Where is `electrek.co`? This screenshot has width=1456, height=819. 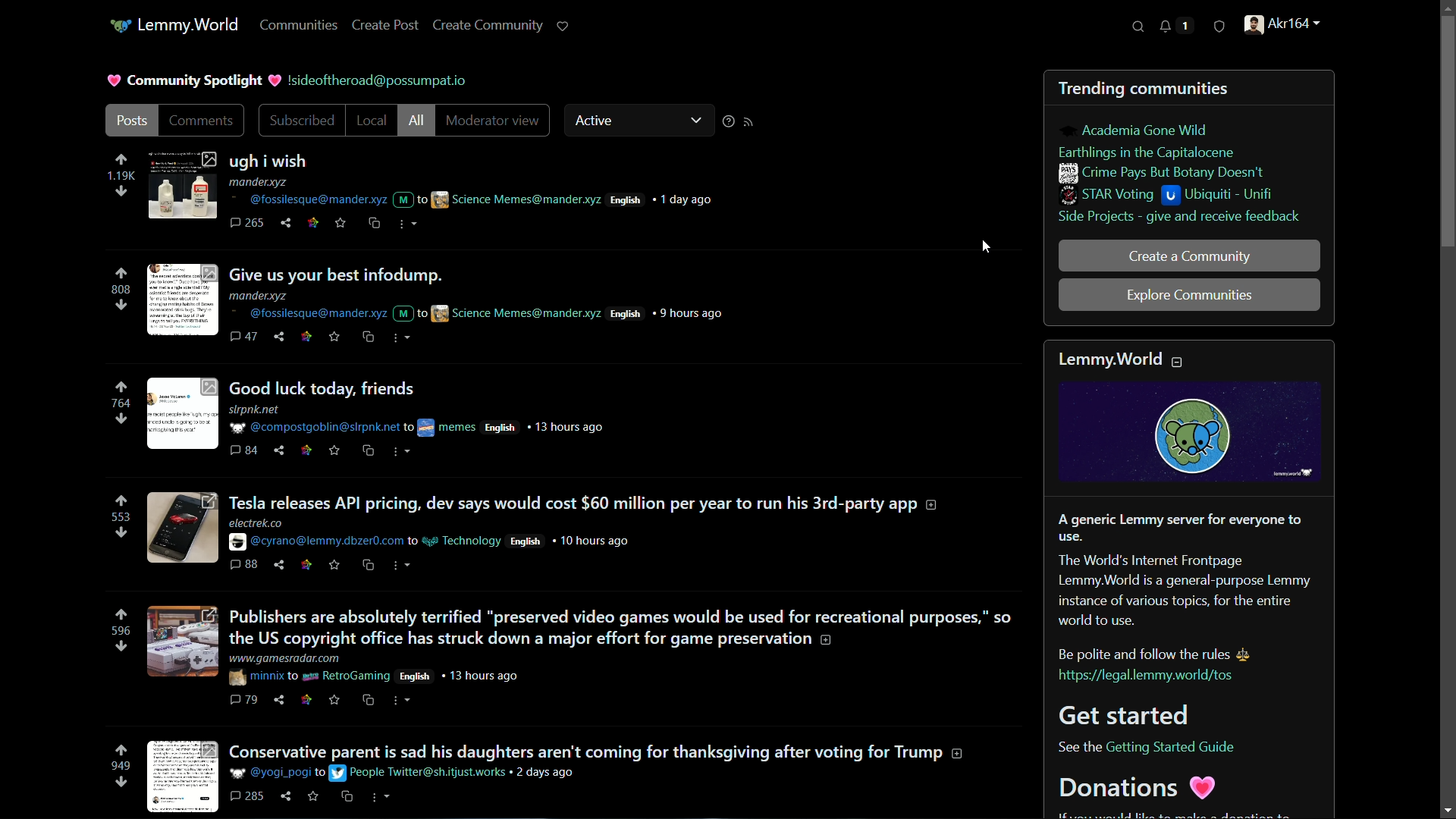 electrek.co is located at coordinates (256, 523).